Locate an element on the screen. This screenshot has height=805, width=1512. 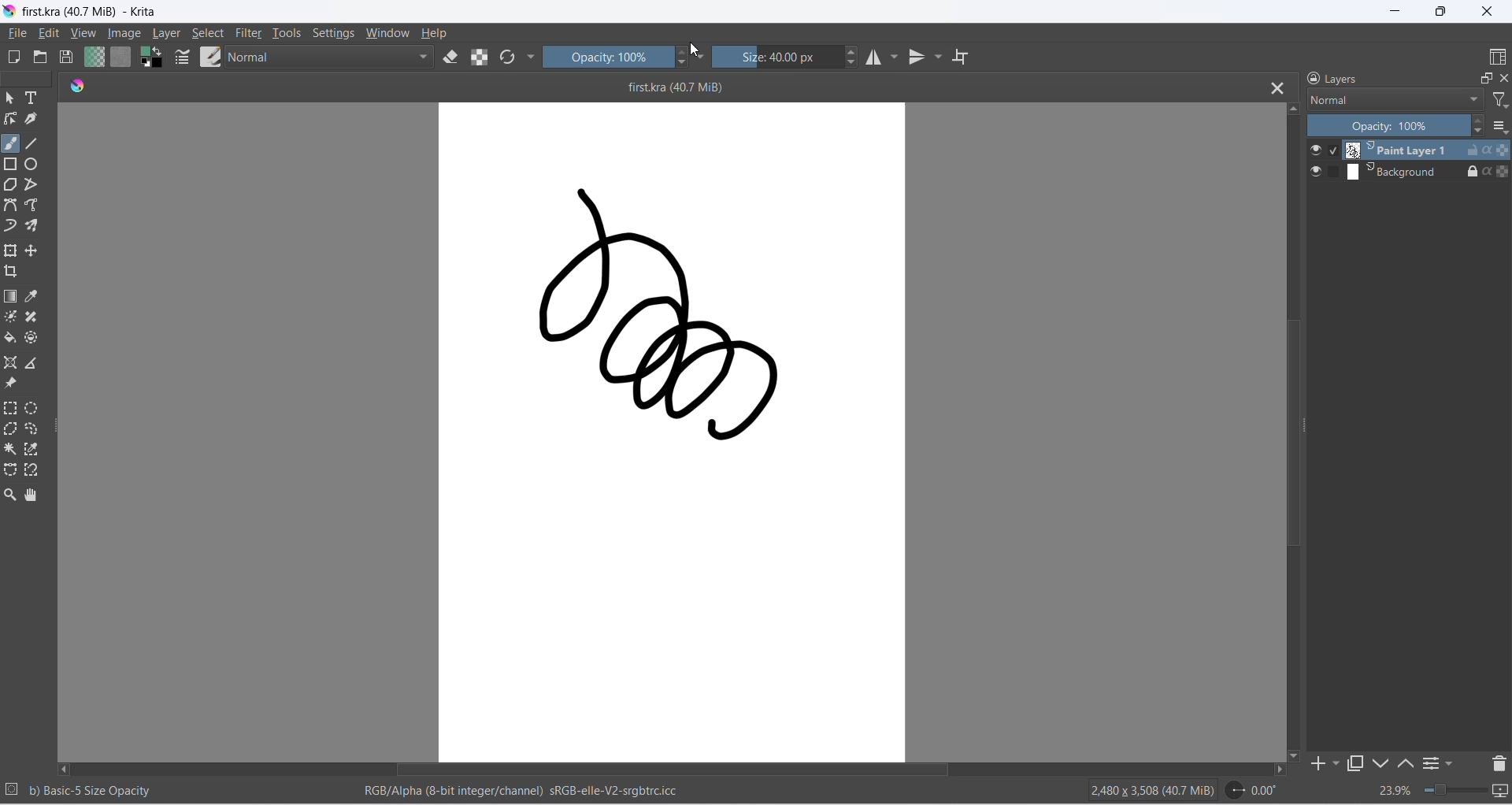
pan tool is located at coordinates (31, 495).